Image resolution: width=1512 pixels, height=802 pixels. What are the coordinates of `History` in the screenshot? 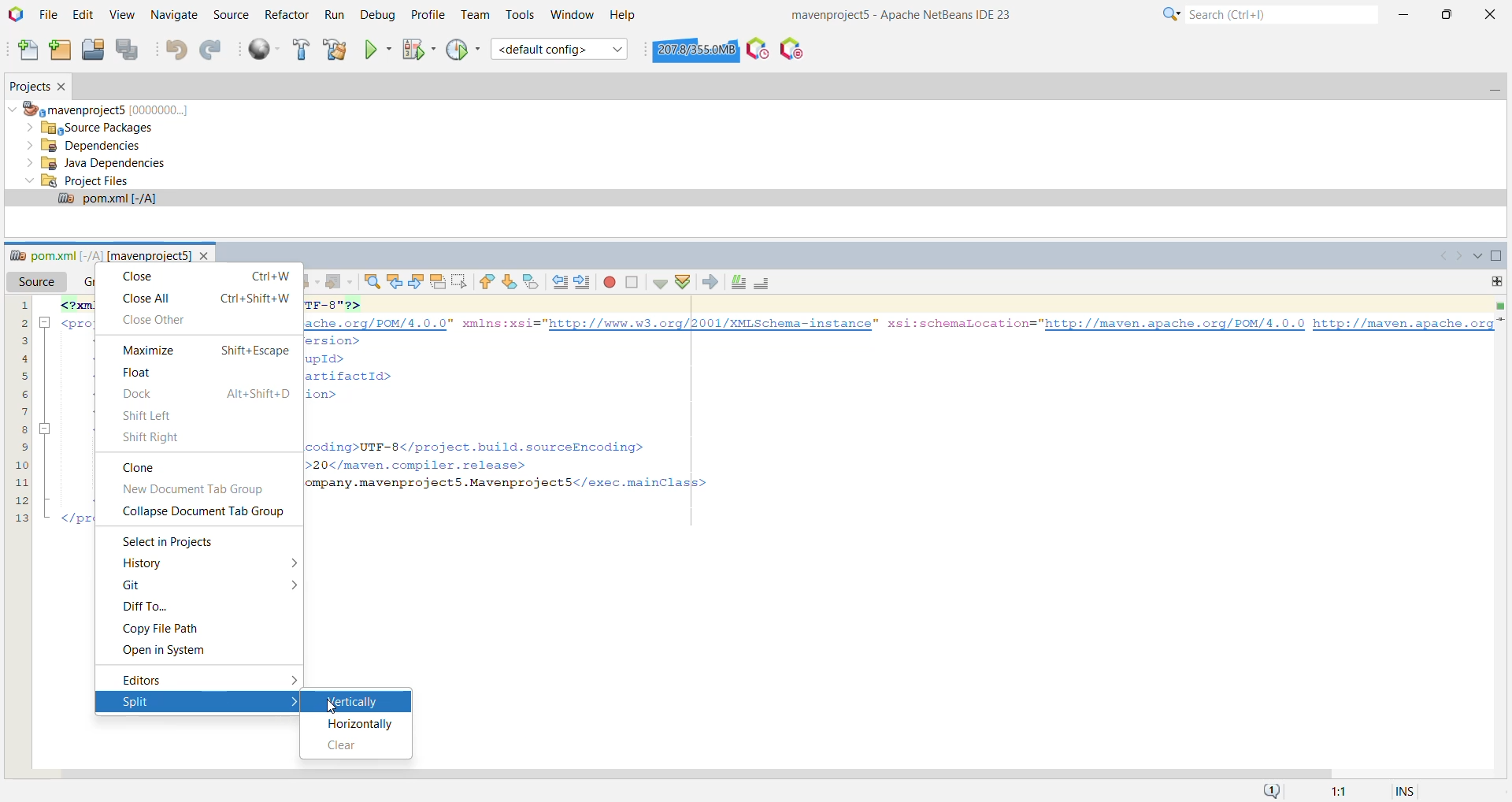 It's located at (150, 564).